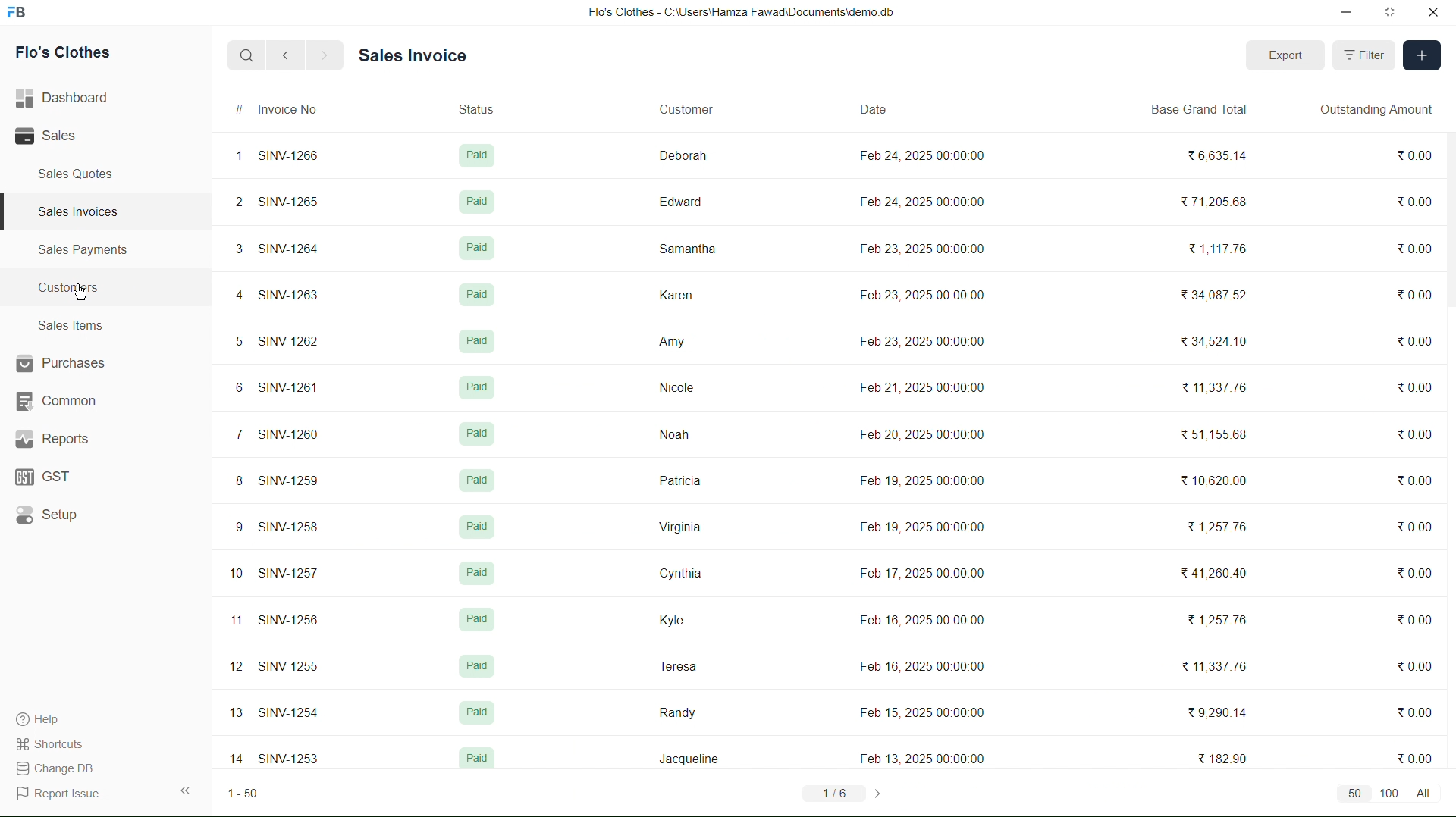  Describe the element at coordinates (59, 55) in the screenshot. I see `Flo's Clothes` at that location.